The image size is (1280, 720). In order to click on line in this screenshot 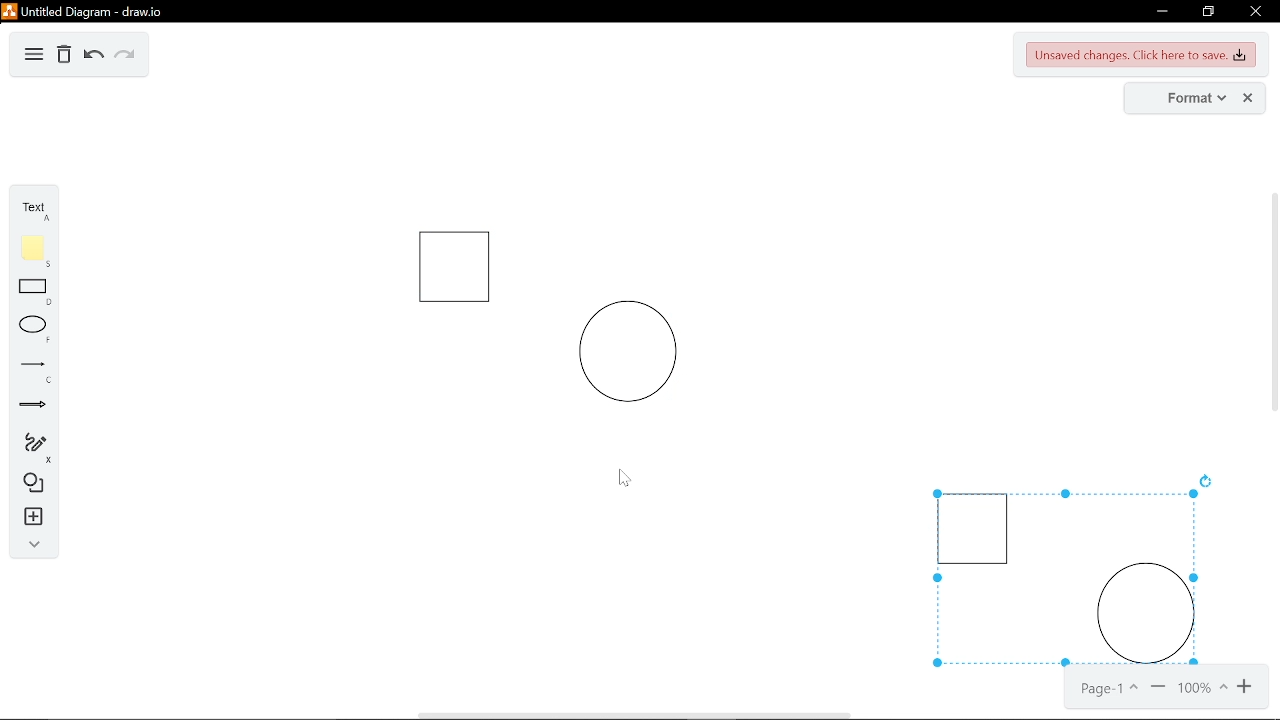, I will do `click(32, 370)`.